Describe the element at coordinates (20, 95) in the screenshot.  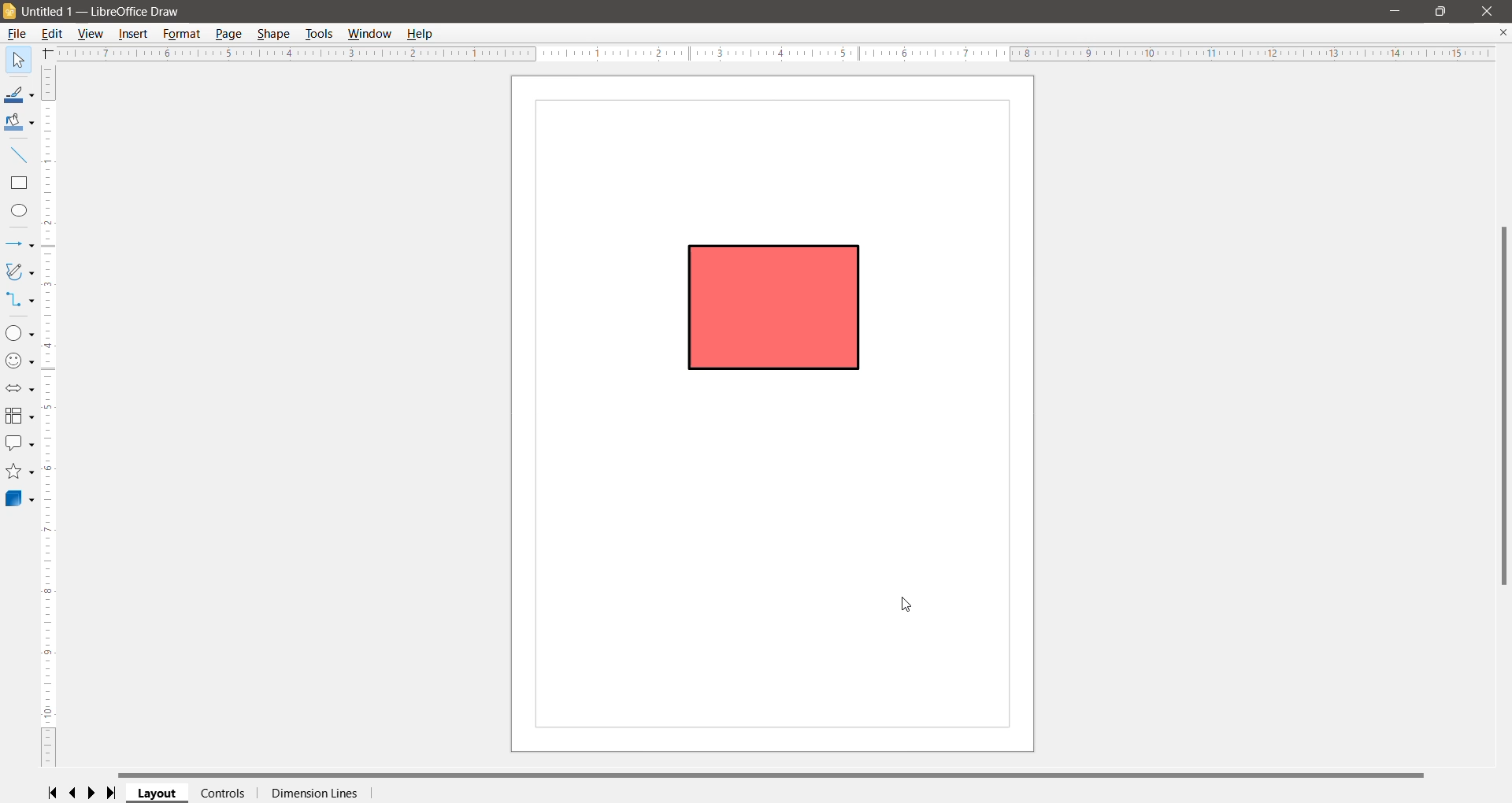
I see `Line Color` at that location.